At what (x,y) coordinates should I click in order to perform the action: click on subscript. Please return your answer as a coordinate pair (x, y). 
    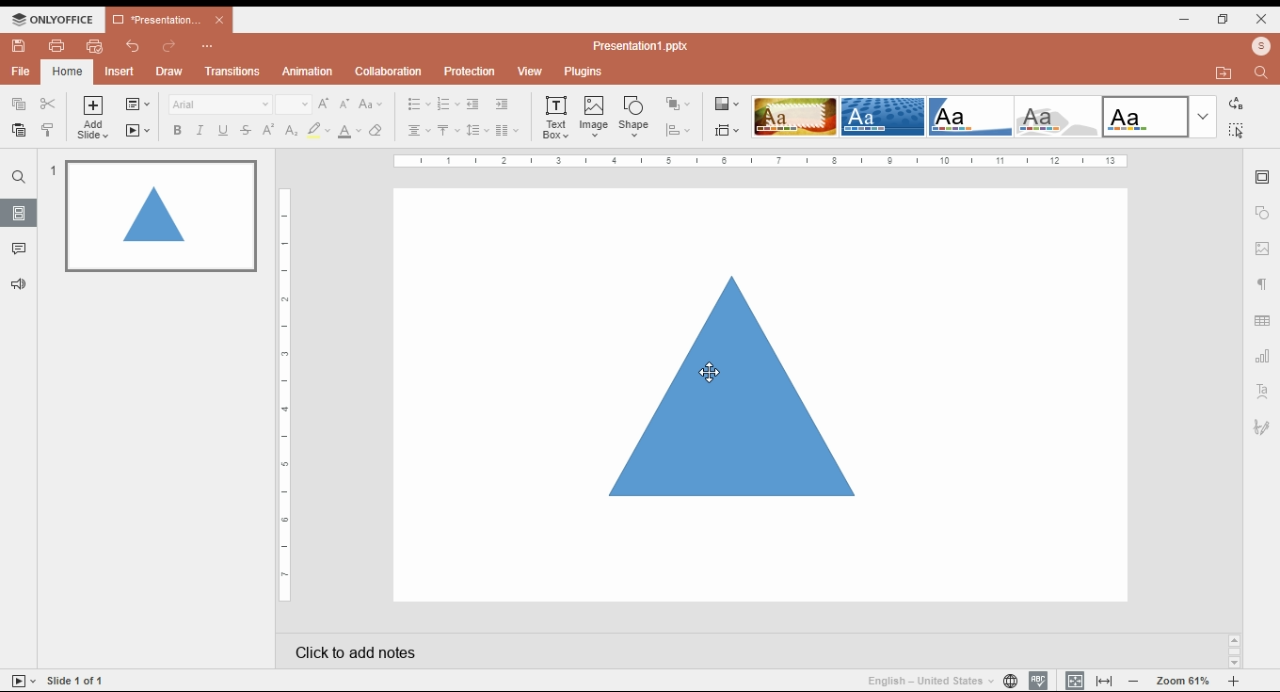
    Looking at the image, I should click on (290, 130).